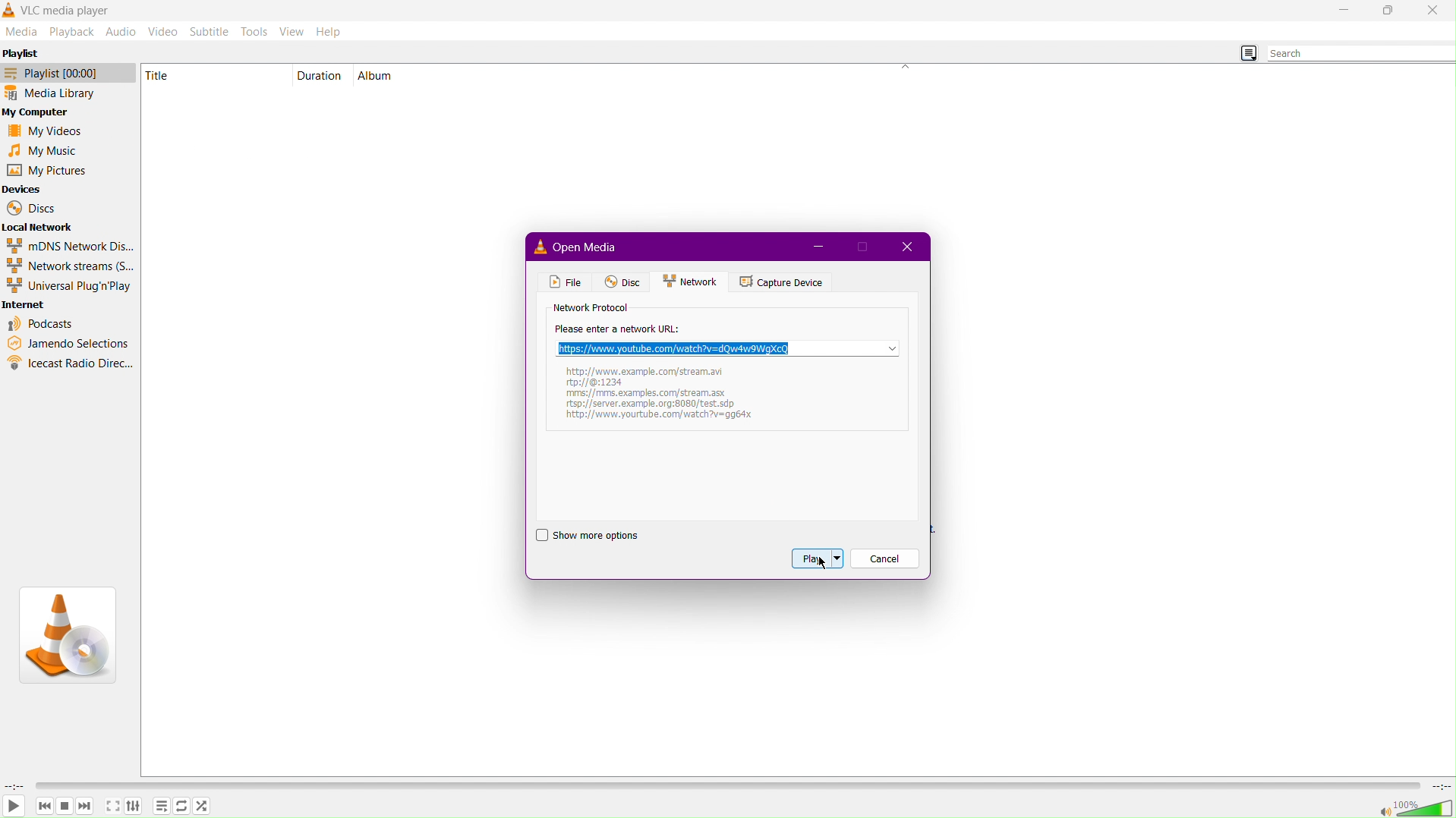 The height and width of the screenshot is (818, 1456). I want to click on Icecast Radio Directory, so click(70, 364).